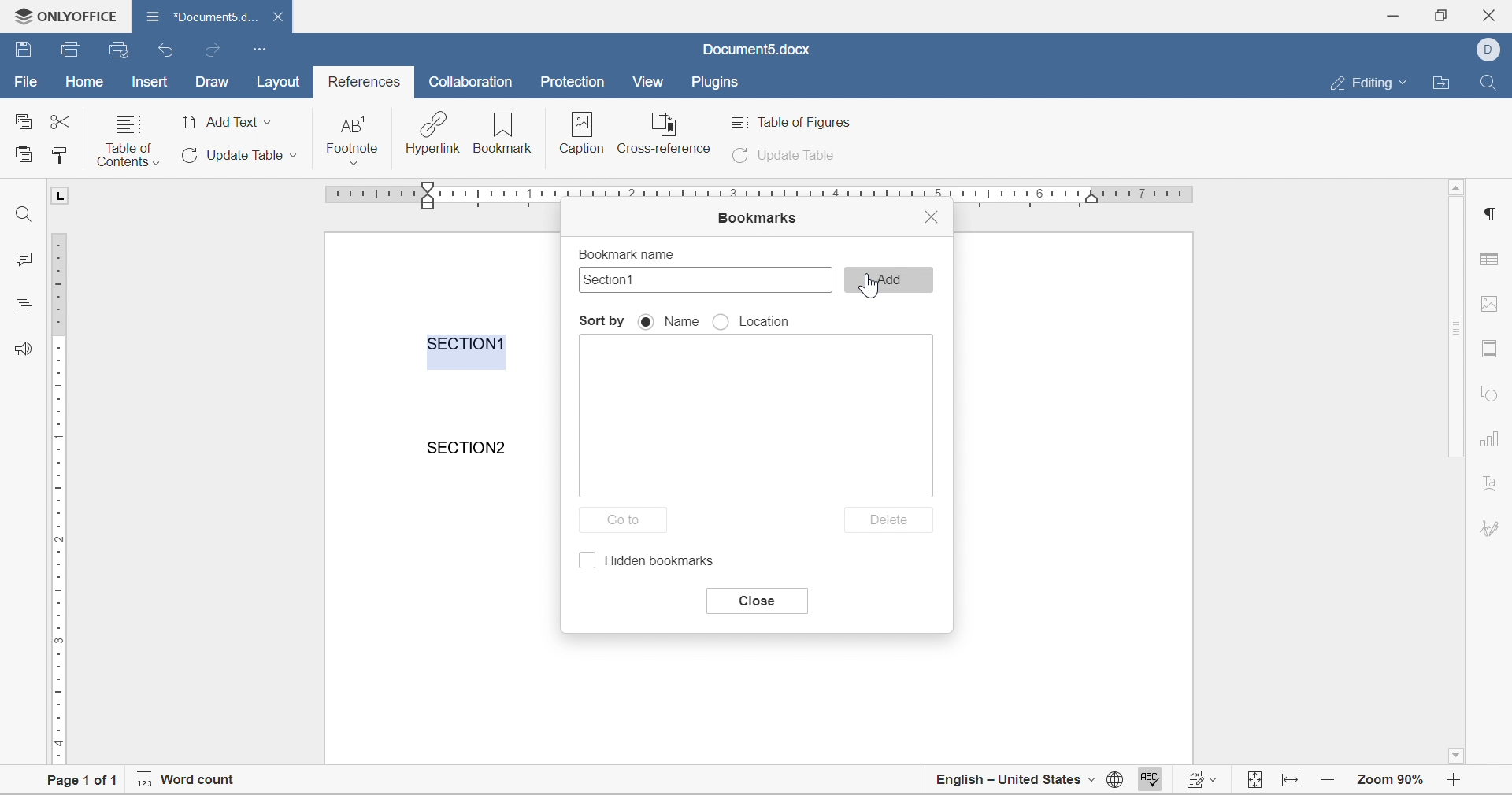 Image resolution: width=1512 pixels, height=795 pixels. Describe the element at coordinates (891, 520) in the screenshot. I see `delete` at that location.